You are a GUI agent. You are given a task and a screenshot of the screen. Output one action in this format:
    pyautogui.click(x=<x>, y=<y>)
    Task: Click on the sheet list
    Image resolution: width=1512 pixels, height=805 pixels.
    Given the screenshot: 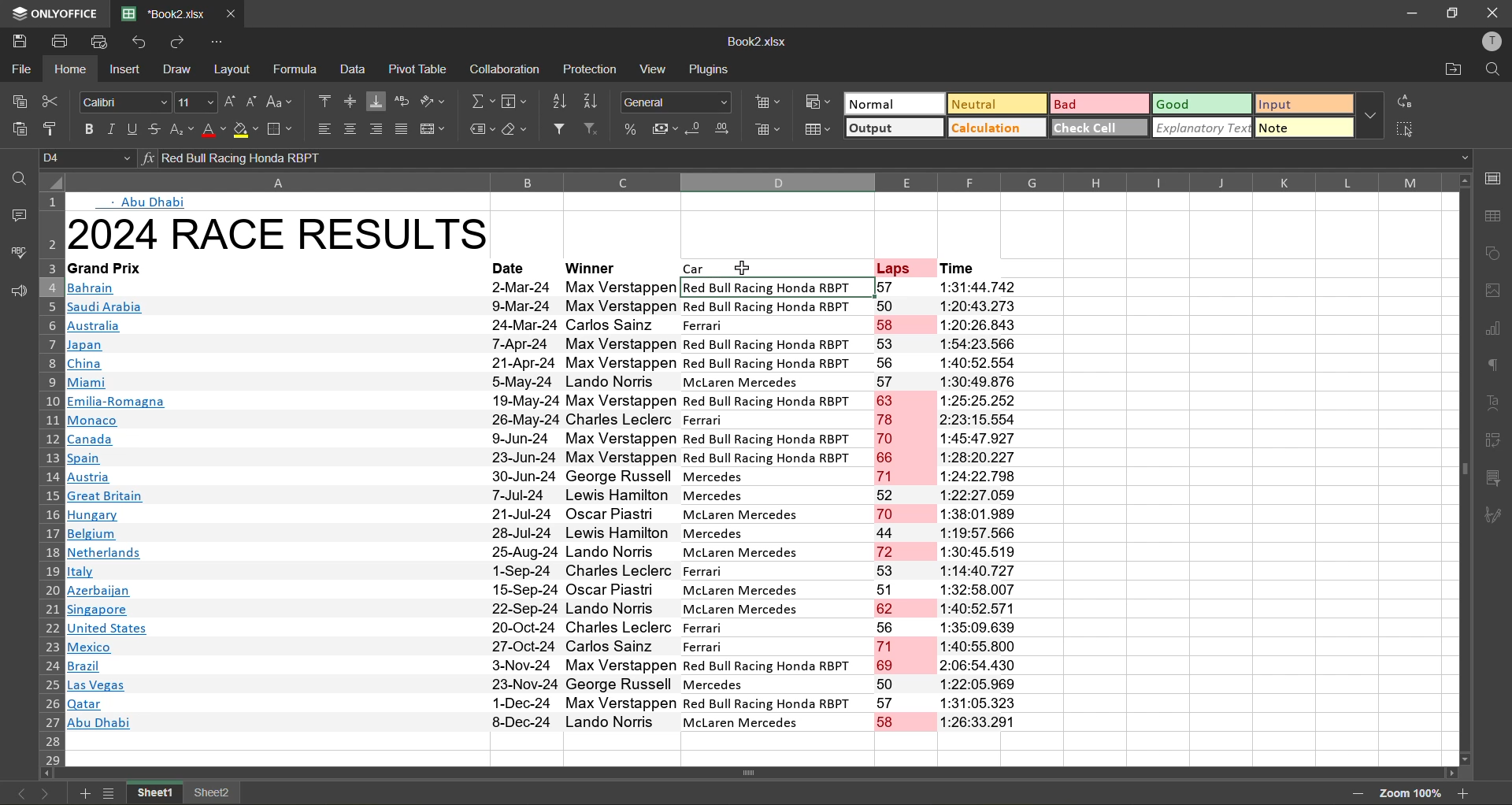 What is the action you would take?
    pyautogui.click(x=108, y=793)
    